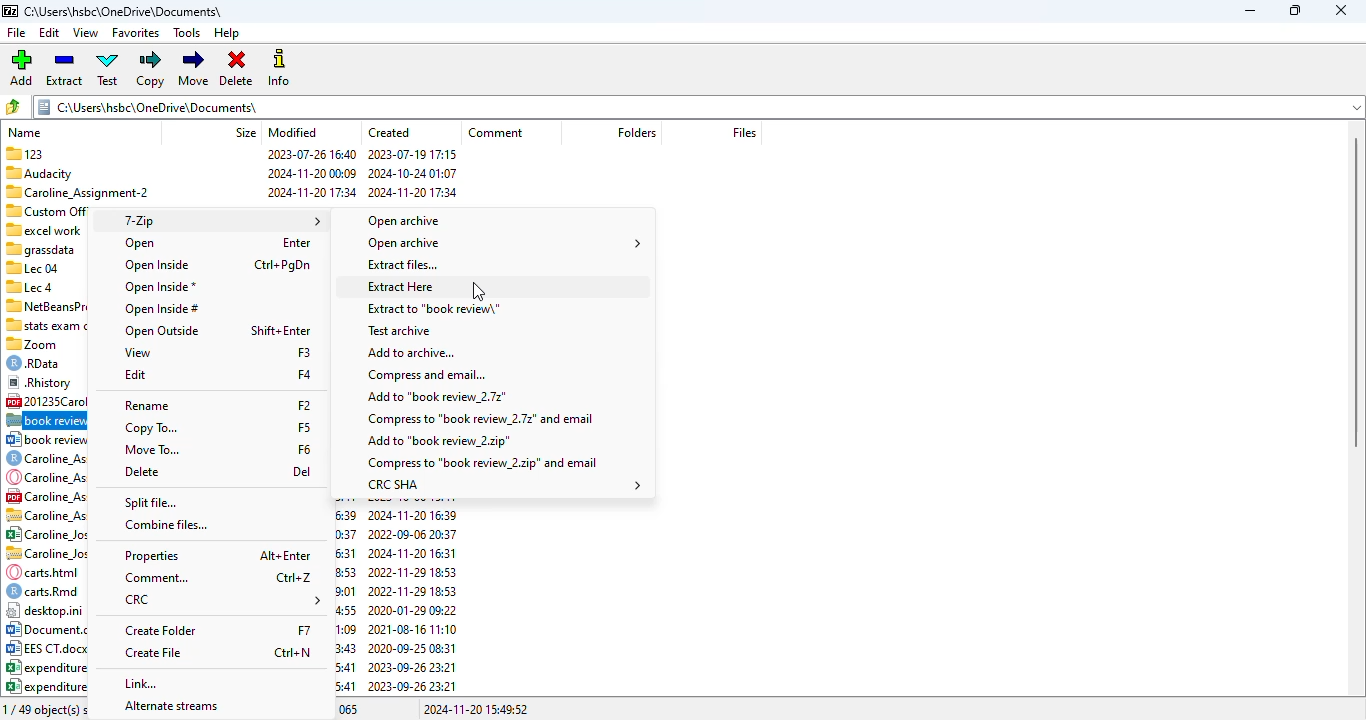  What do you see at coordinates (45, 306) in the screenshot?
I see `7 NetBeansProjects` at bounding box center [45, 306].